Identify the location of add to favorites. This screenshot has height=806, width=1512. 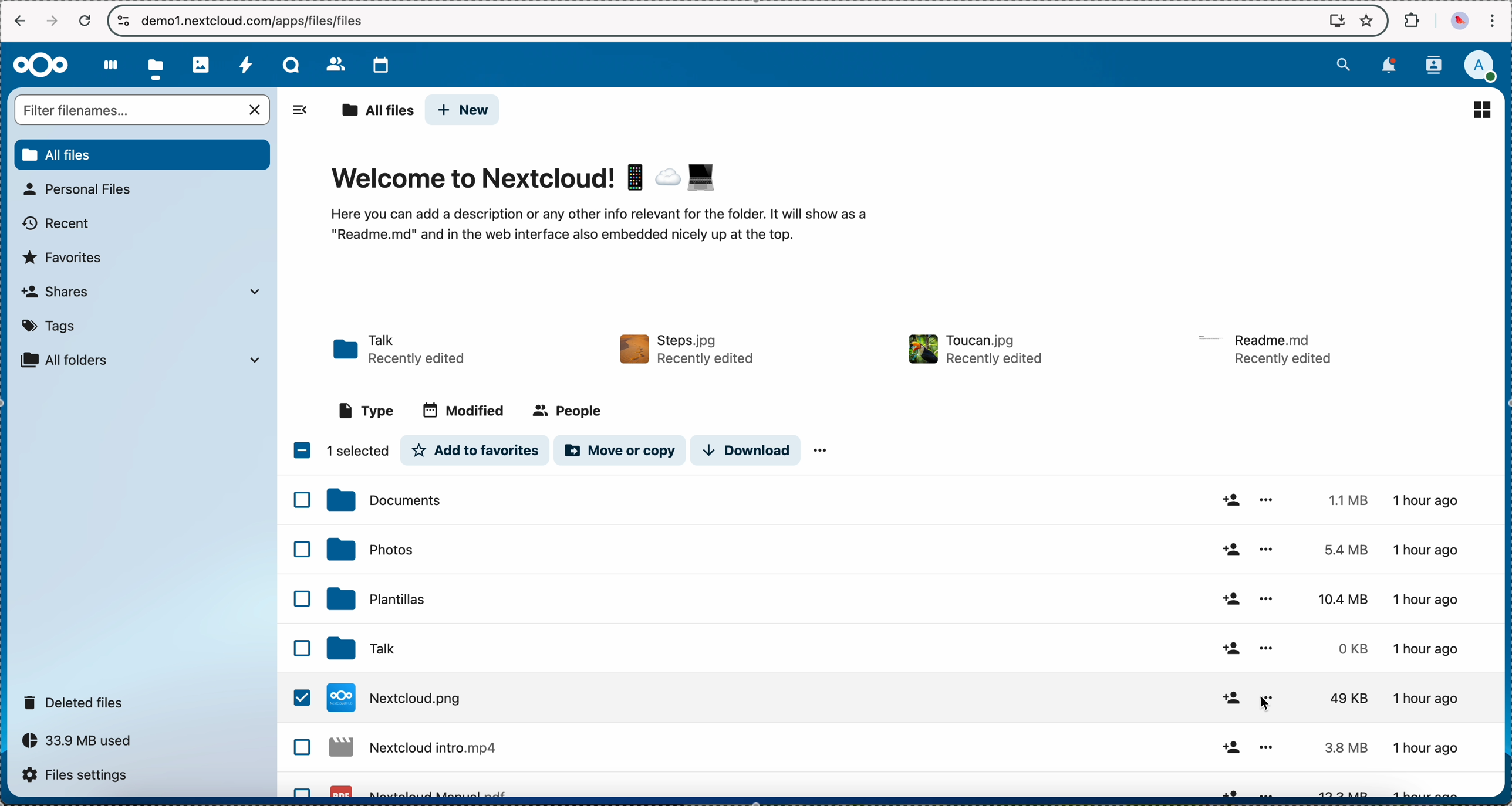
(477, 451).